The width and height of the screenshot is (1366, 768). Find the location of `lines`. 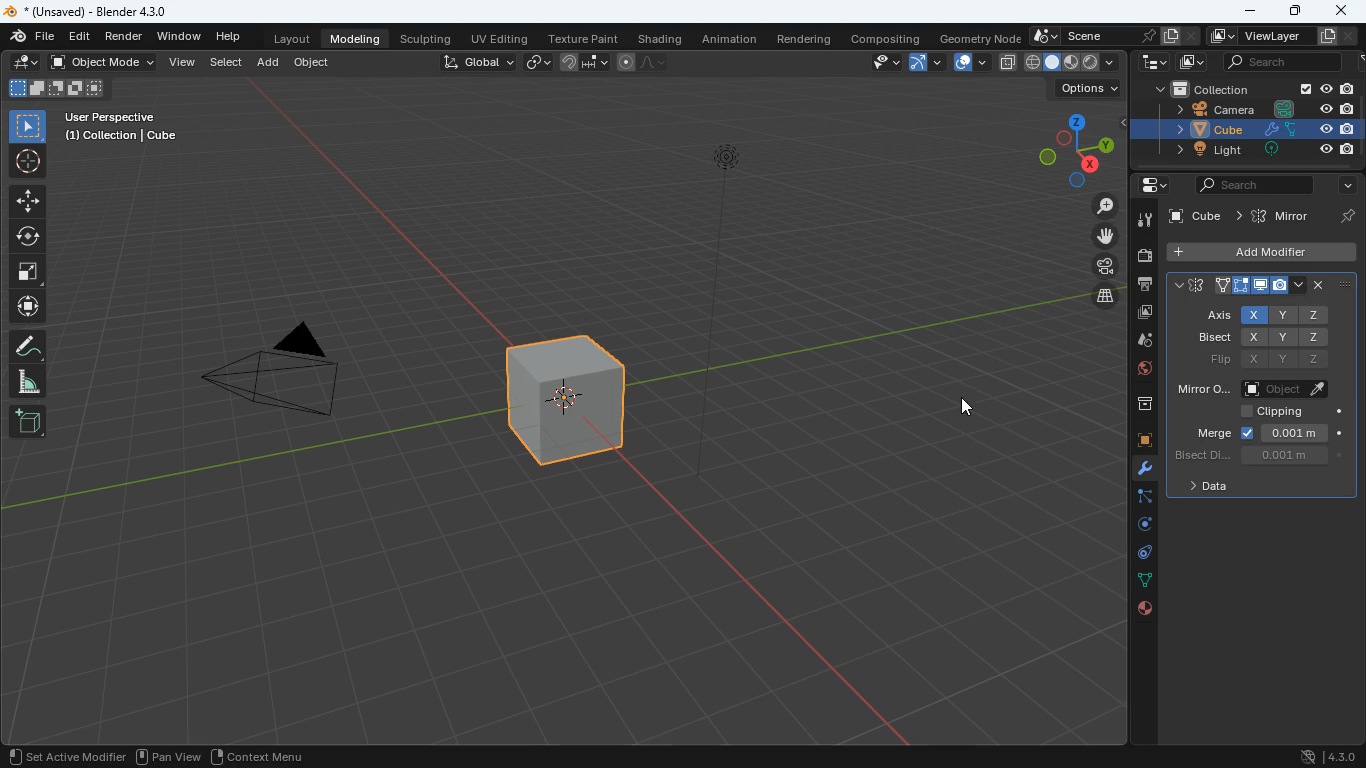

lines is located at coordinates (1142, 581).